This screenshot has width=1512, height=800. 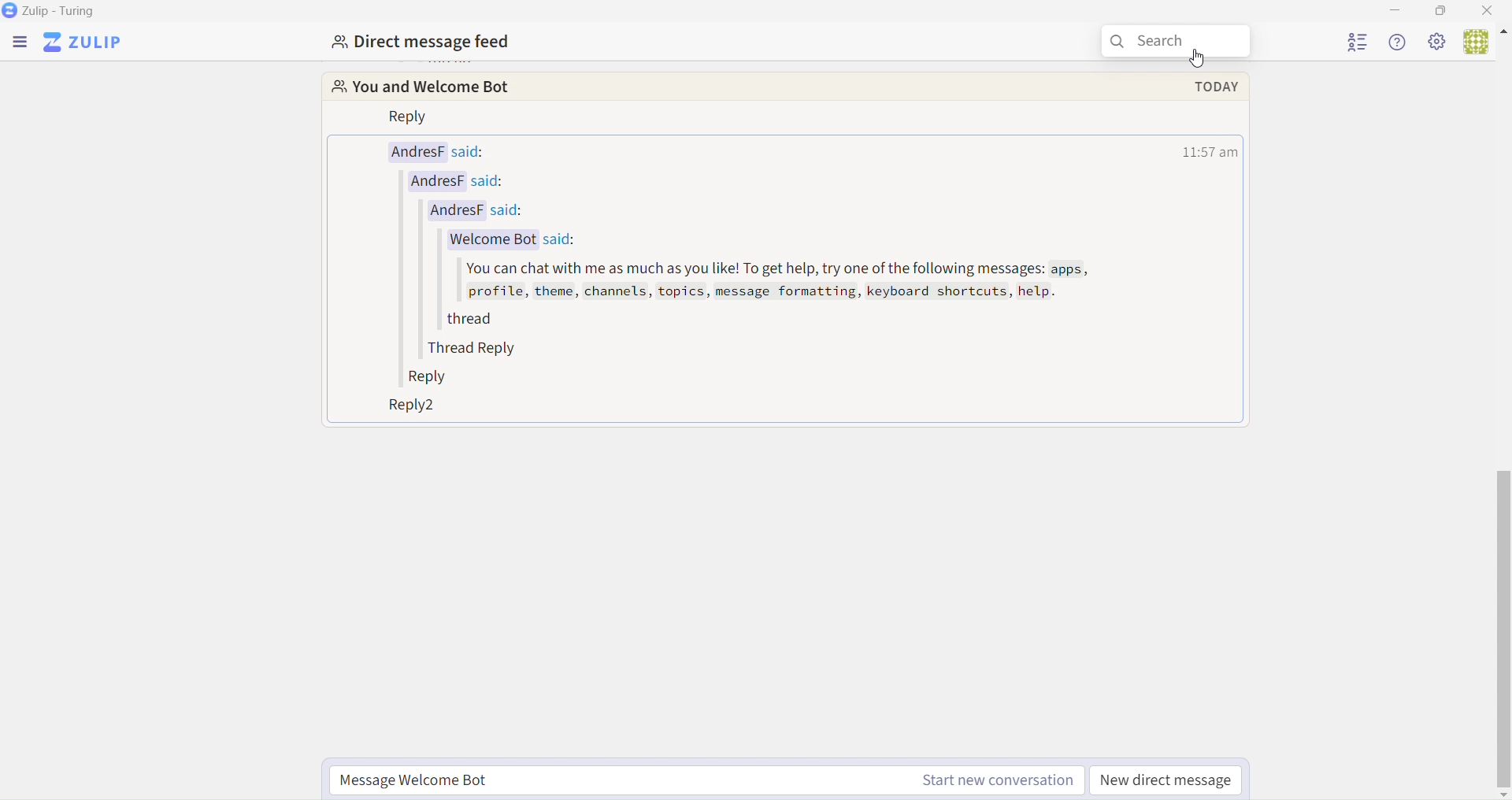 What do you see at coordinates (1492, 10) in the screenshot?
I see `Close` at bounding box center [1492, 10].